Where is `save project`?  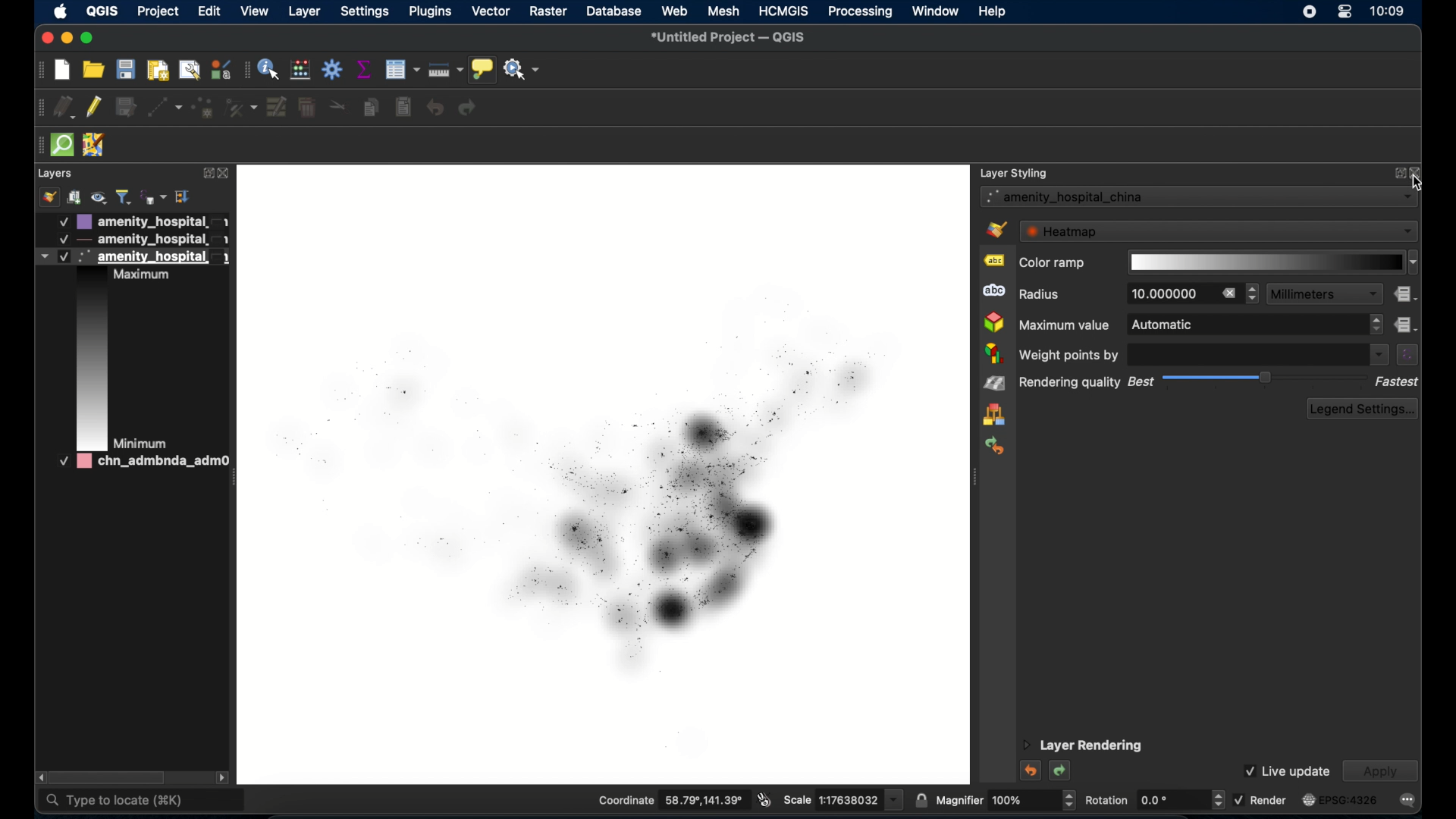 save project is located at coordinates (127, 71).